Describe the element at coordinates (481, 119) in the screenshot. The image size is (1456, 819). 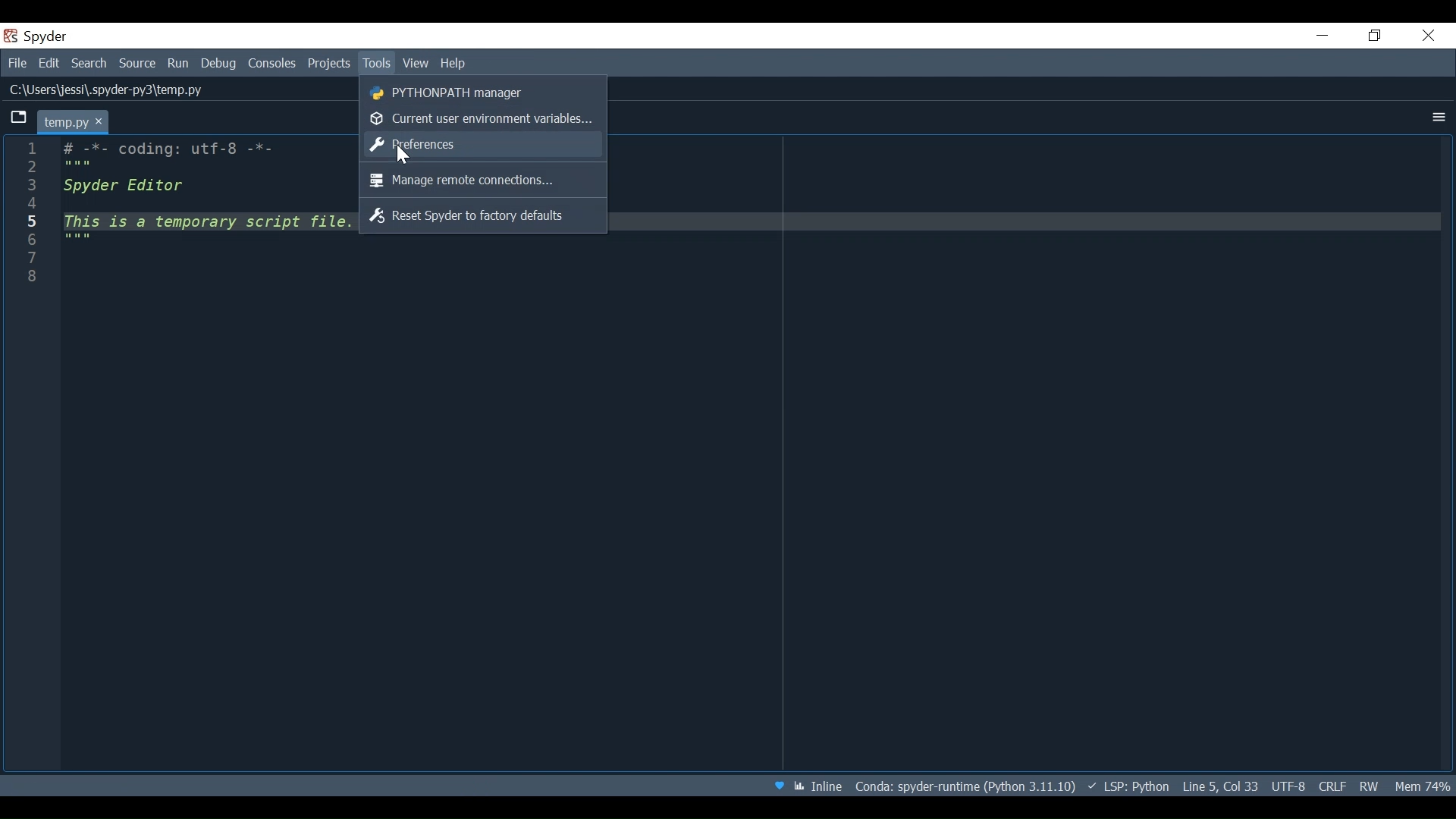
I see `Current User environment variable` at that location.